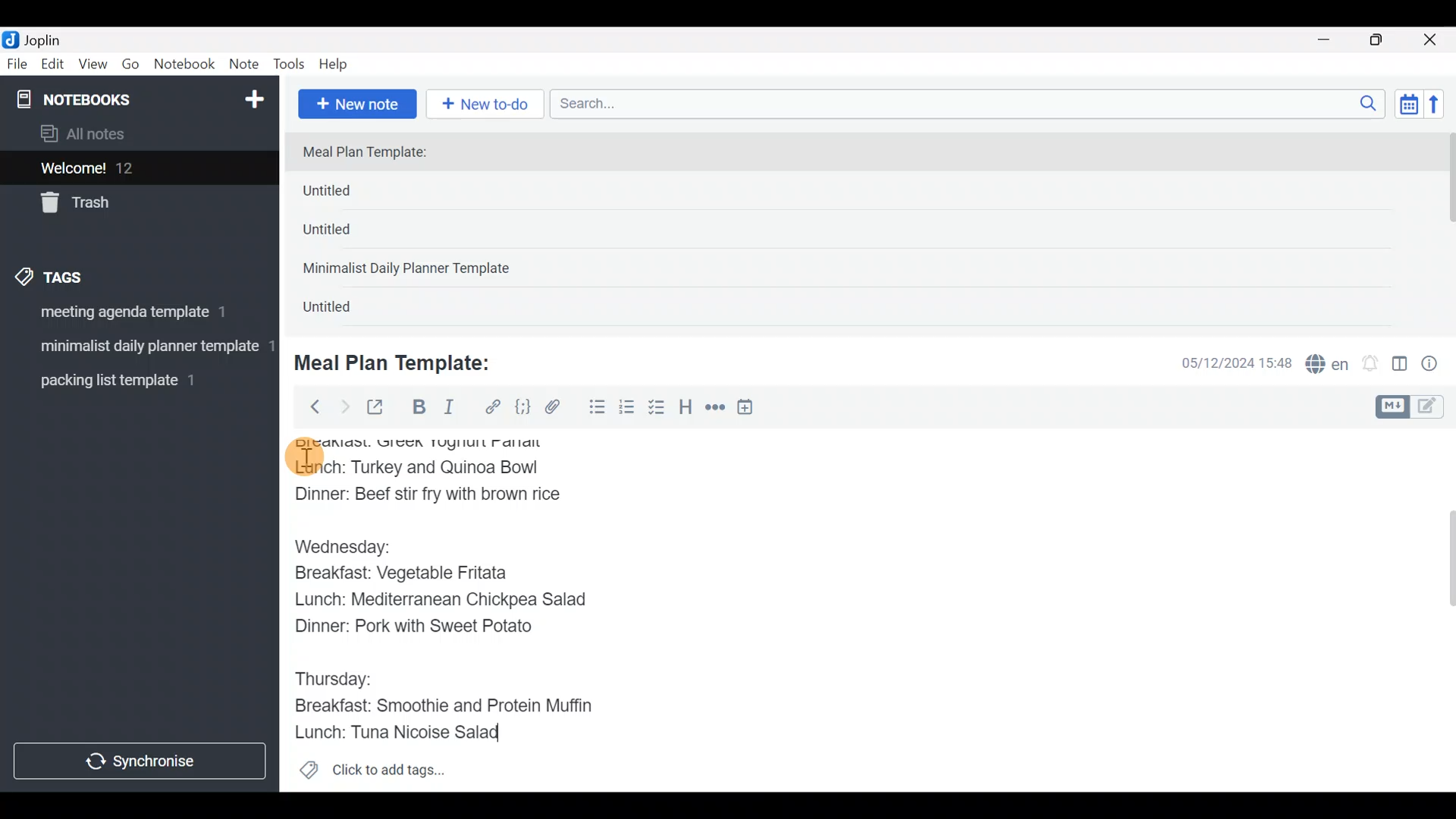 The height and width of the screenshot is (819, 1456). I want to click on text Cursor, so click(516, 737).